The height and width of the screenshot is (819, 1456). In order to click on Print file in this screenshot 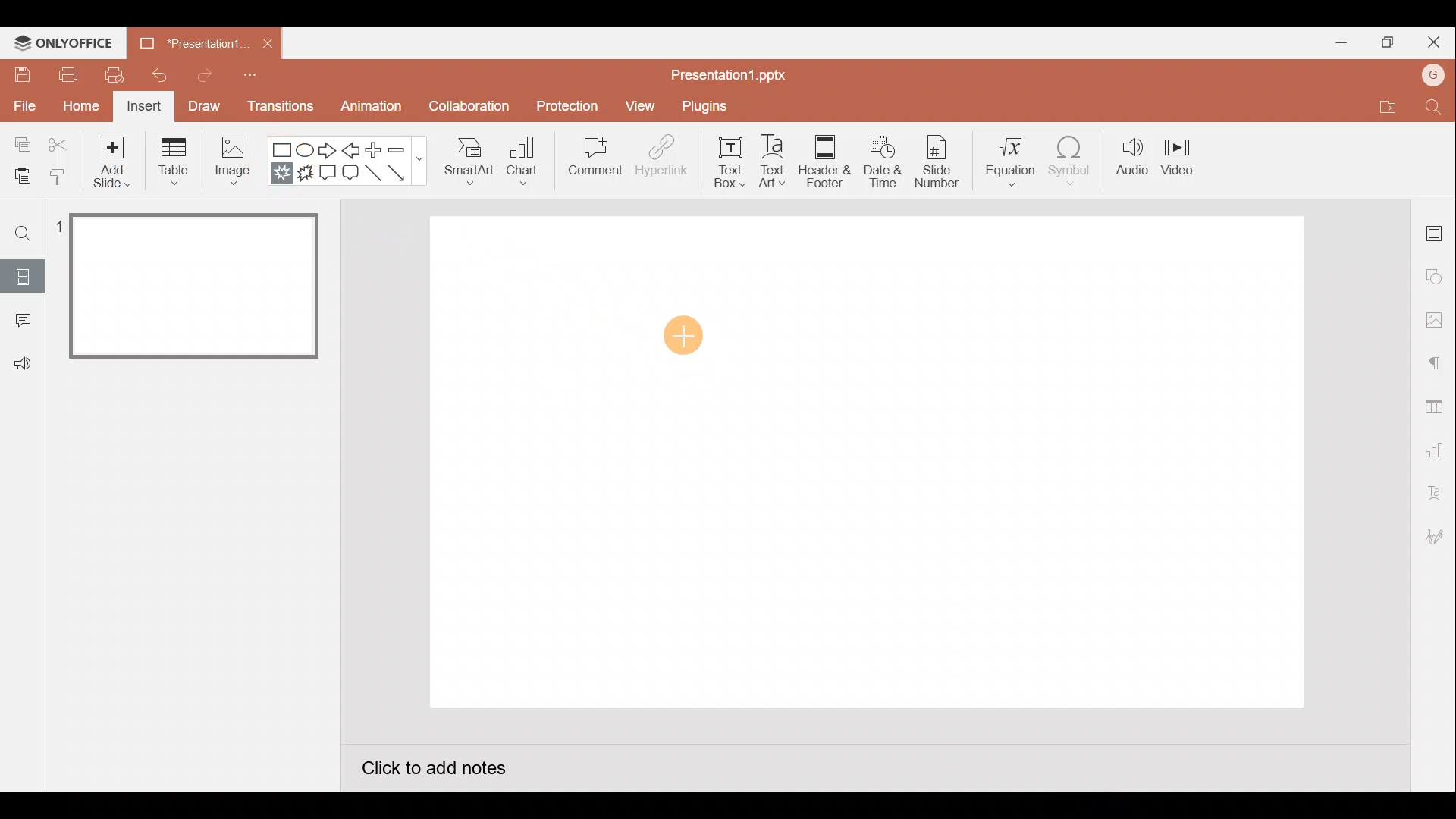, I will do `click(67, 75)`.